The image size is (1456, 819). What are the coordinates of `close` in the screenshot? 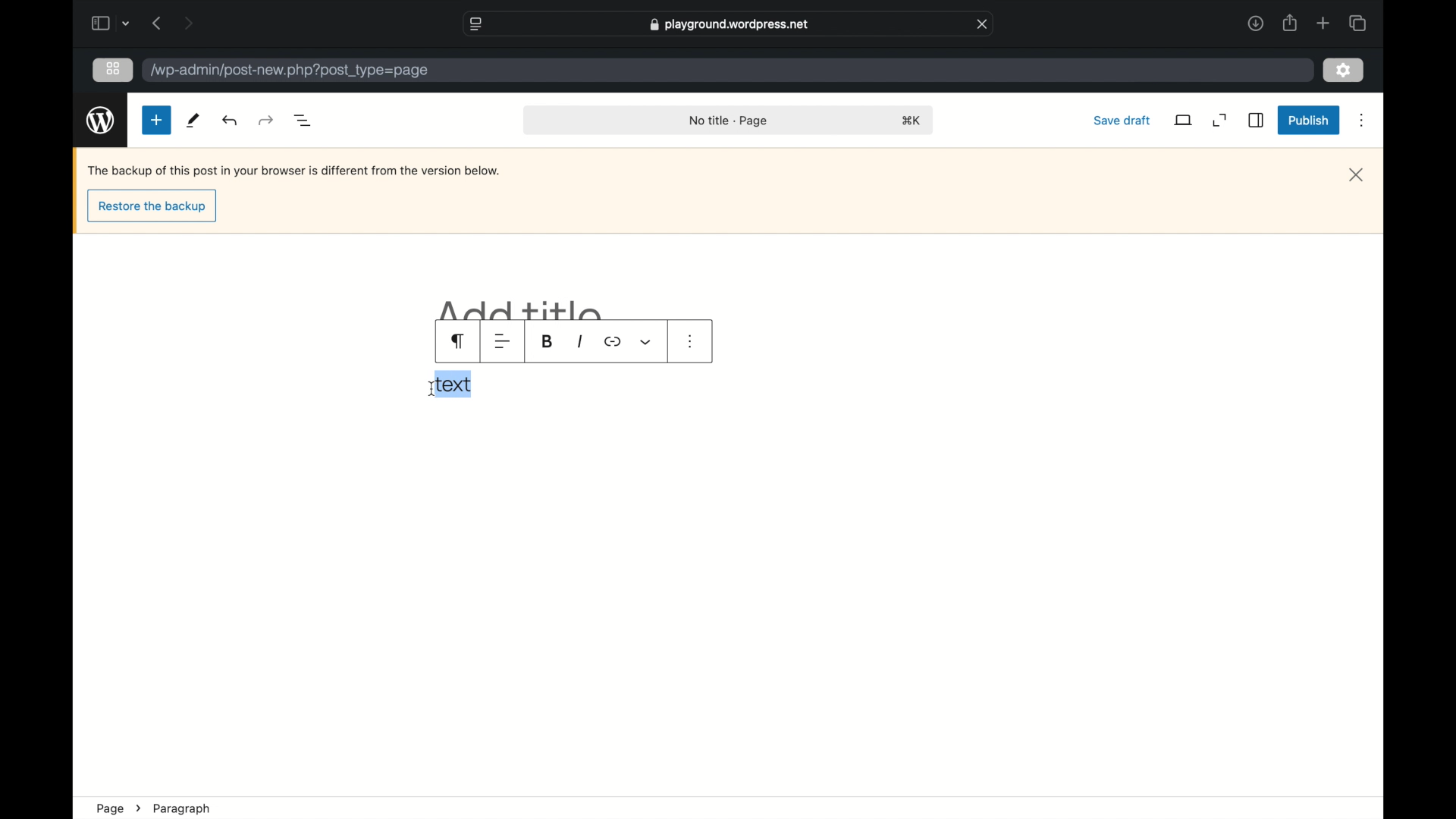 It's located at (983, 23).